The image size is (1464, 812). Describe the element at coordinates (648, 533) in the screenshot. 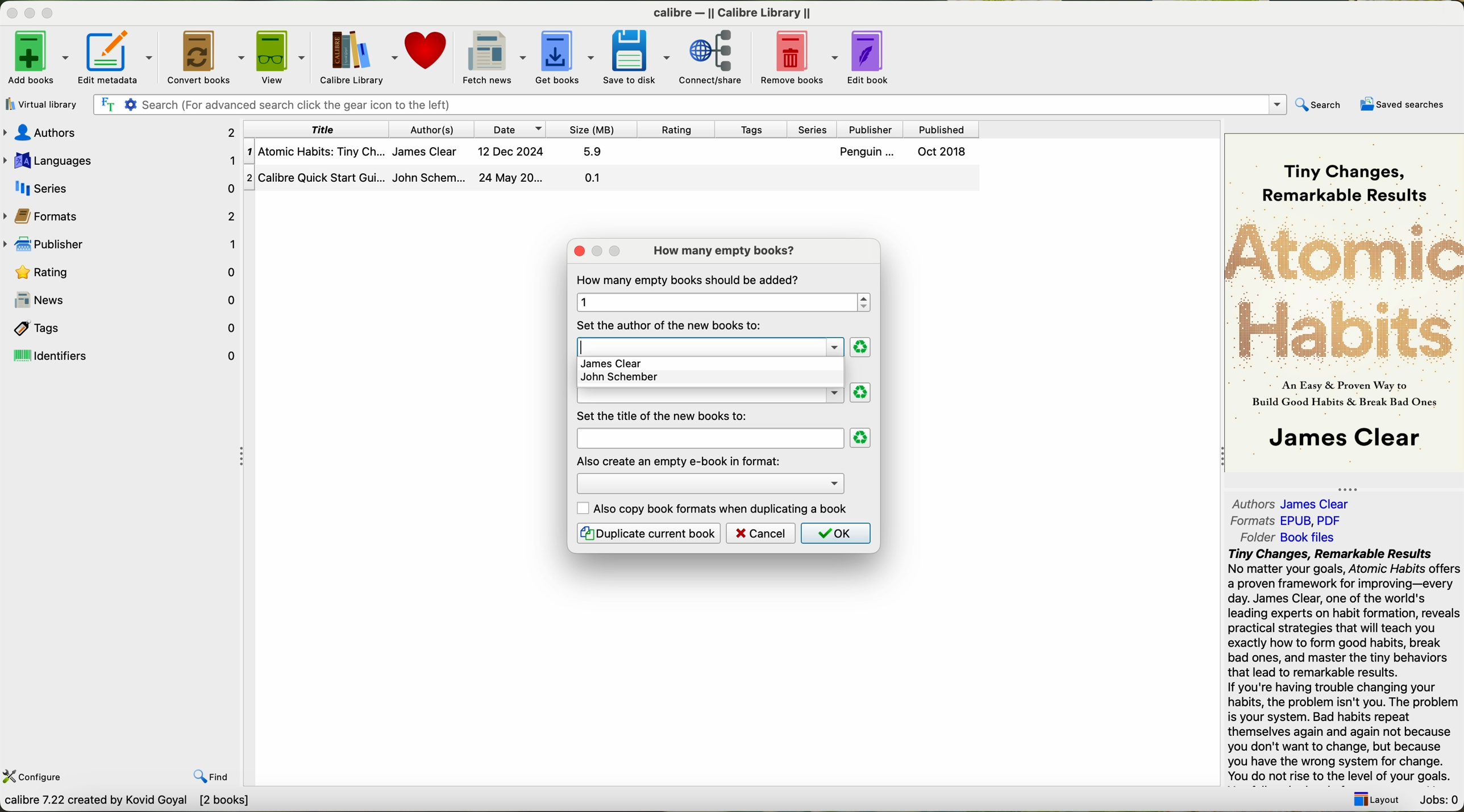

I see `duplicate current book` at that location.